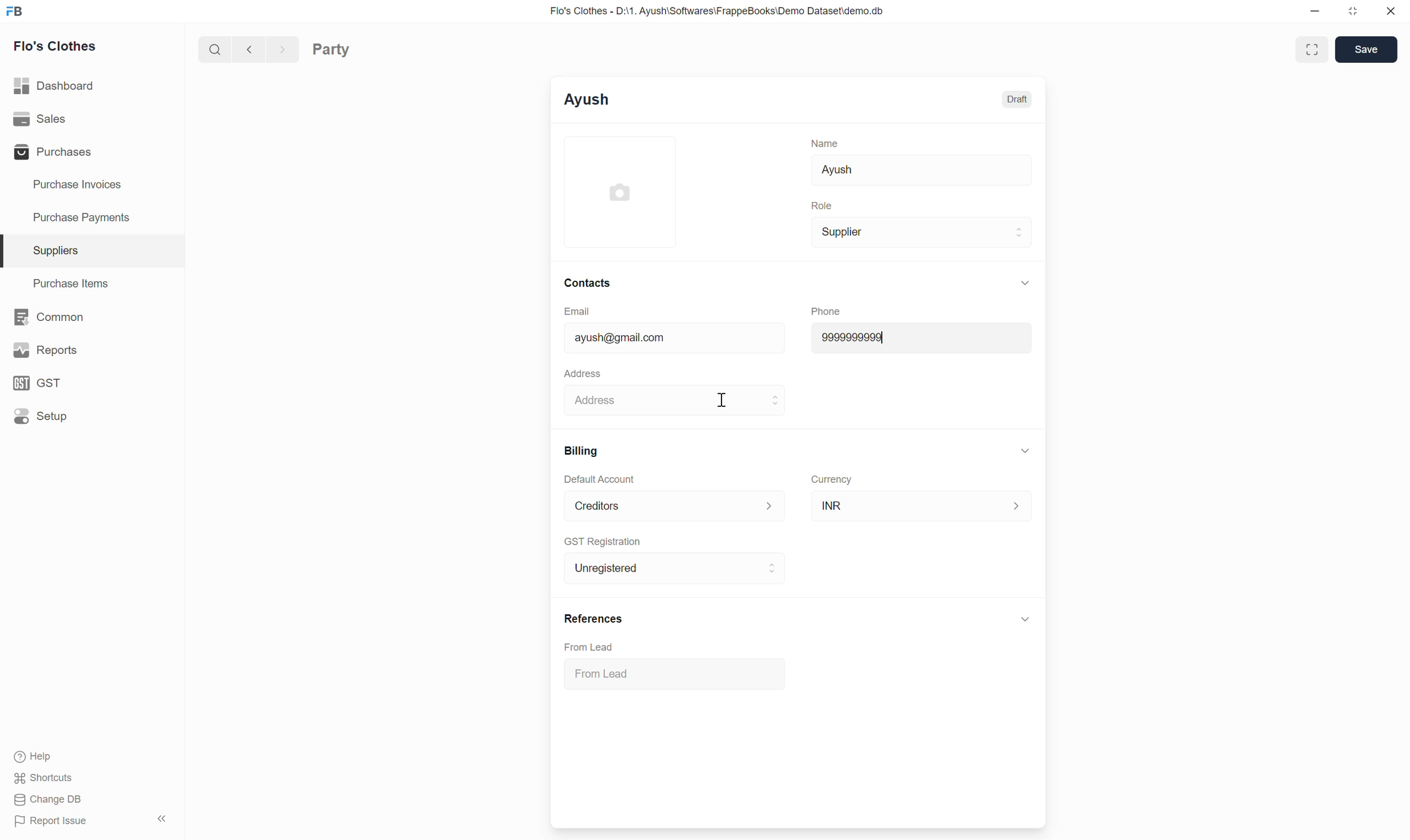  Describe the element at coordinates (92, 251) in the screenshot. I see `Suppliers` at that location.